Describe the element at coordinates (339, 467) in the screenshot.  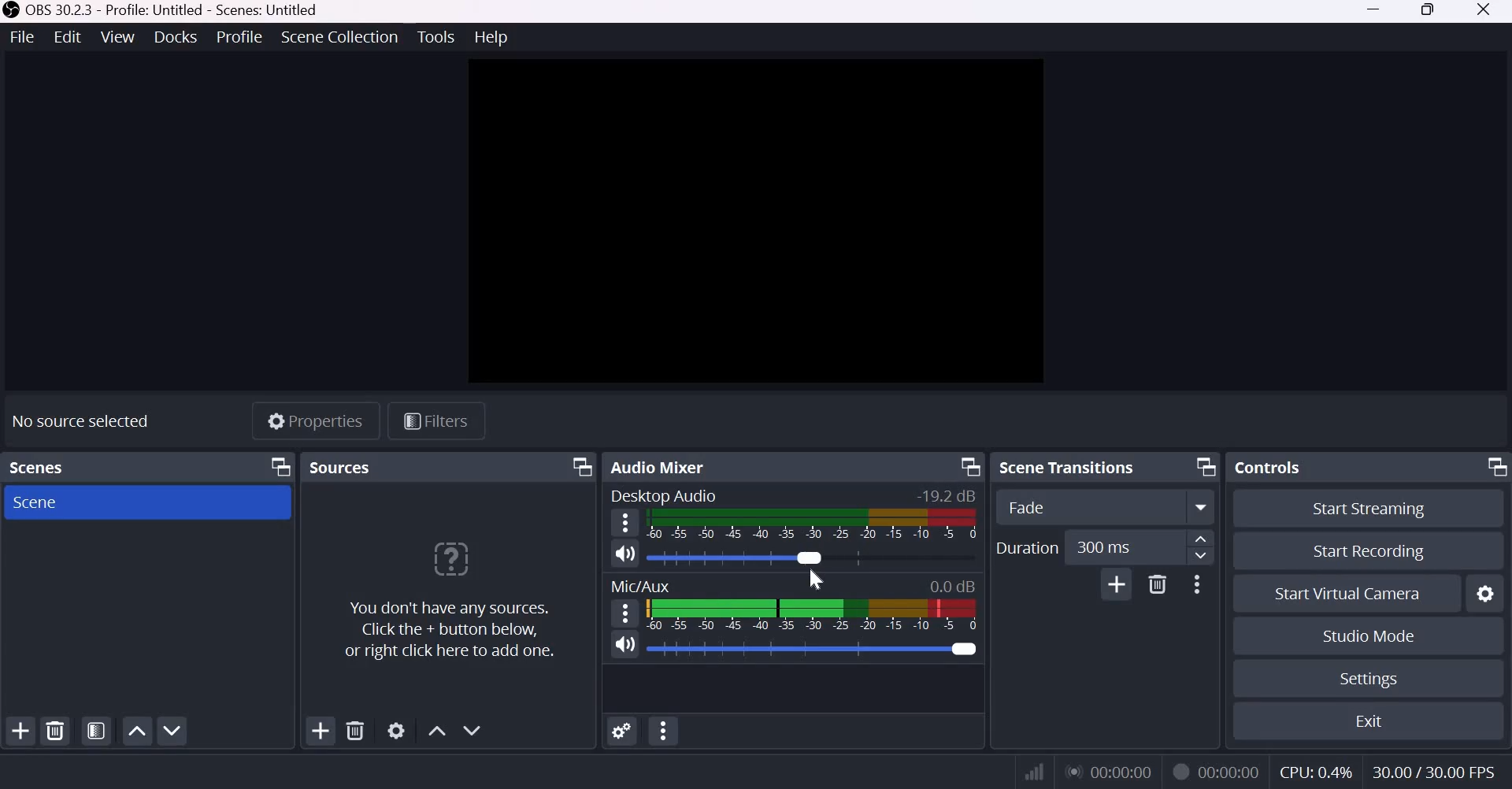
I see `Sources` at that location.